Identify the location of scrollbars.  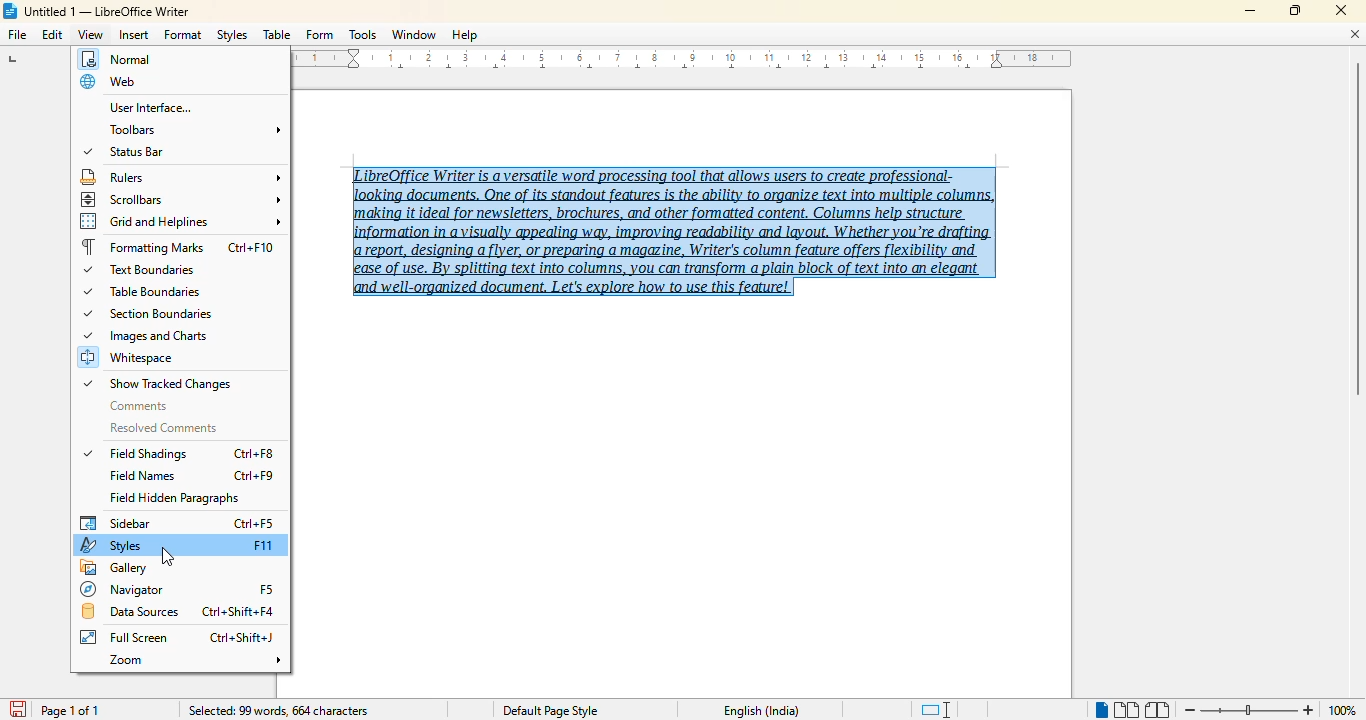
(181, 199).